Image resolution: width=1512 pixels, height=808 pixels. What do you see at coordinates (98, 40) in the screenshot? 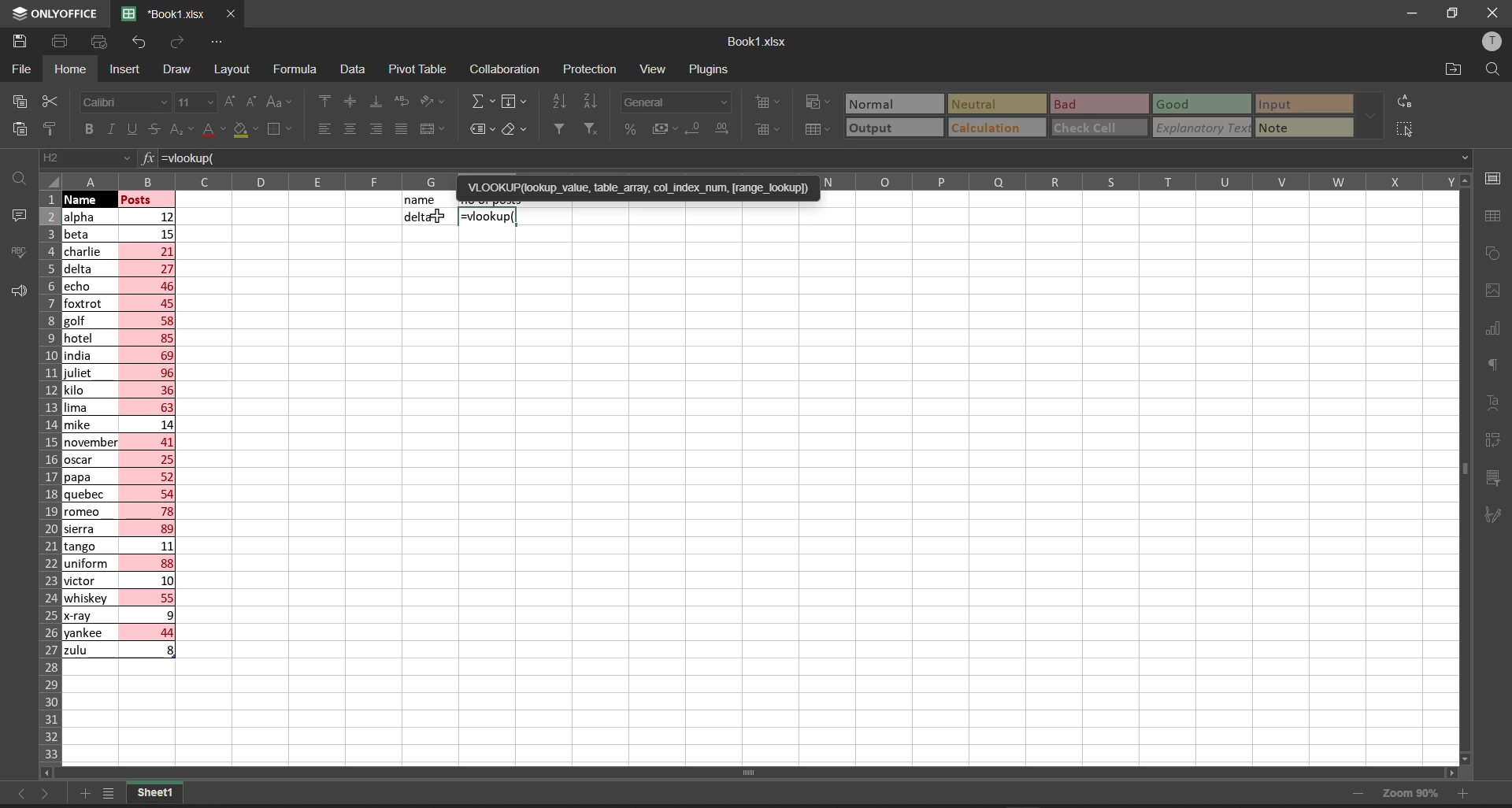
I see `quick print` at bounding box center [98, 40].